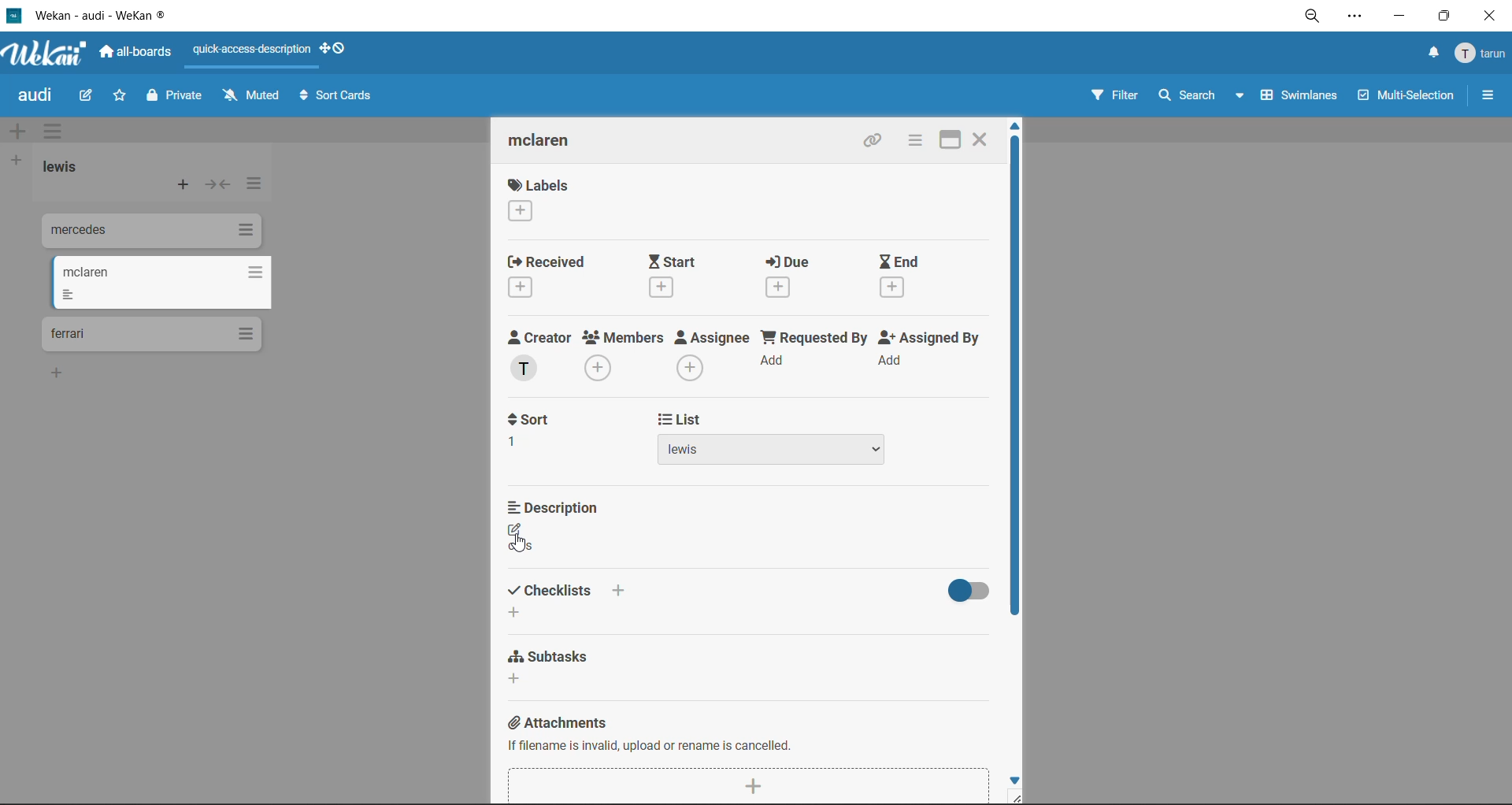  What do you see at coordinates (1448, 15) in the screenshot?
I see `maximize` at bounding box center [1448, 15].